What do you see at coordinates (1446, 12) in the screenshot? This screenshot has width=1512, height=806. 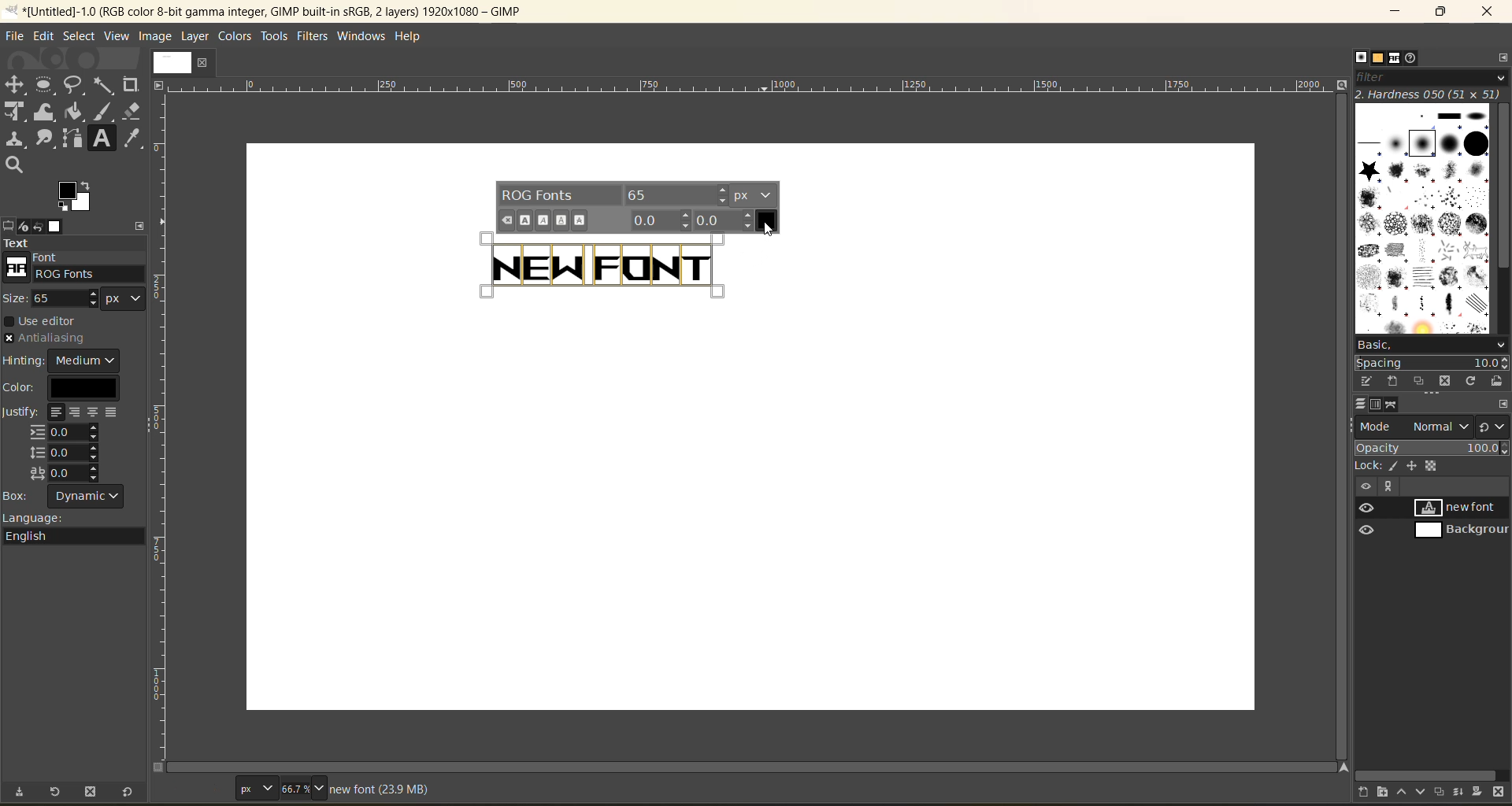 I see `maximize` at bounding box center [1446, 12].